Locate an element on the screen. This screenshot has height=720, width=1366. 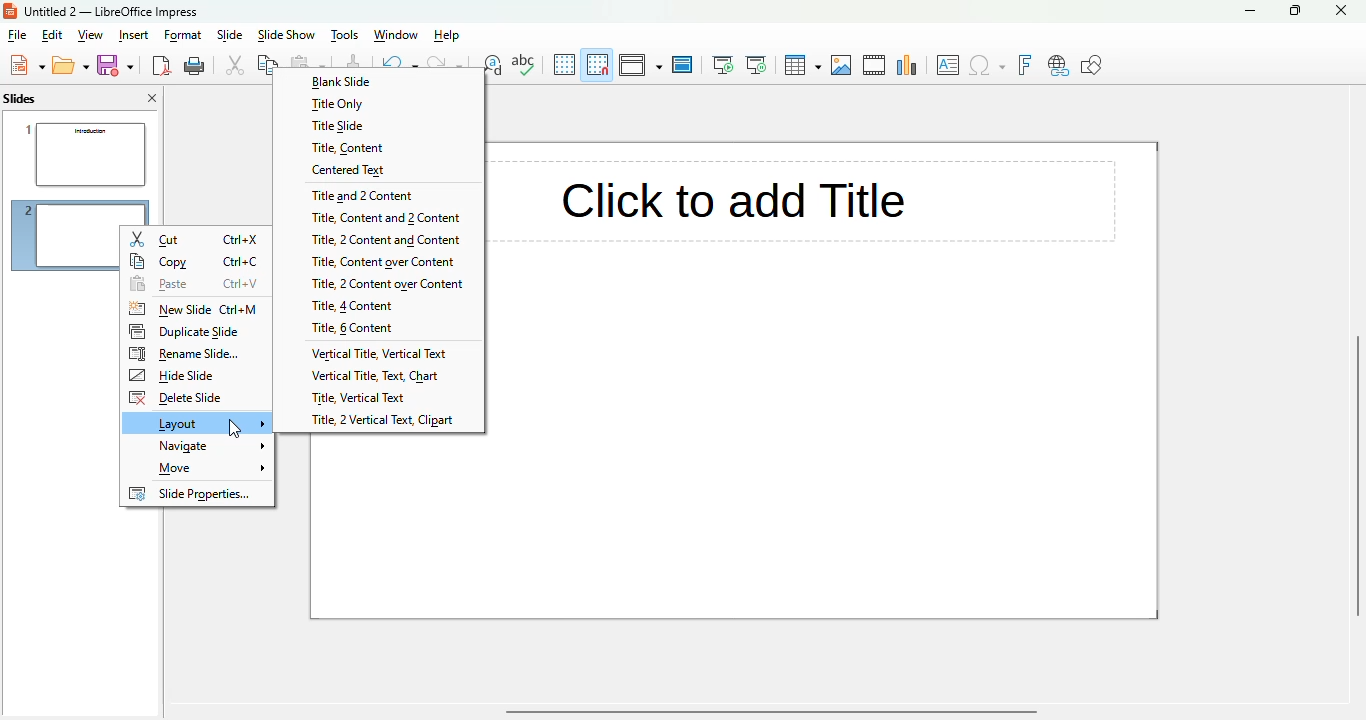
title and 2 content is located at coordinates (380, 193).